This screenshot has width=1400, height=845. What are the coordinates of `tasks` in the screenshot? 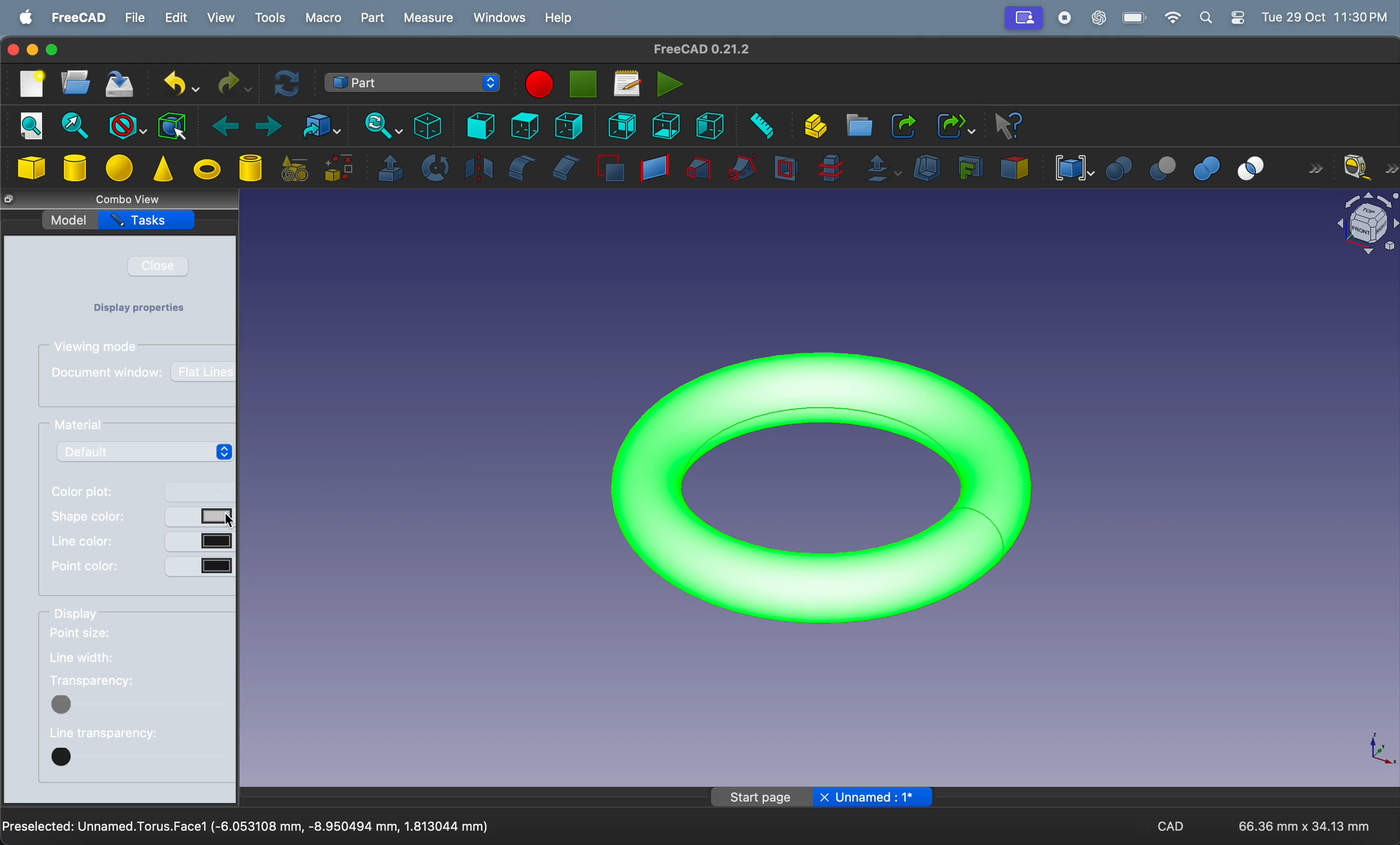 It's located at (147, 221).